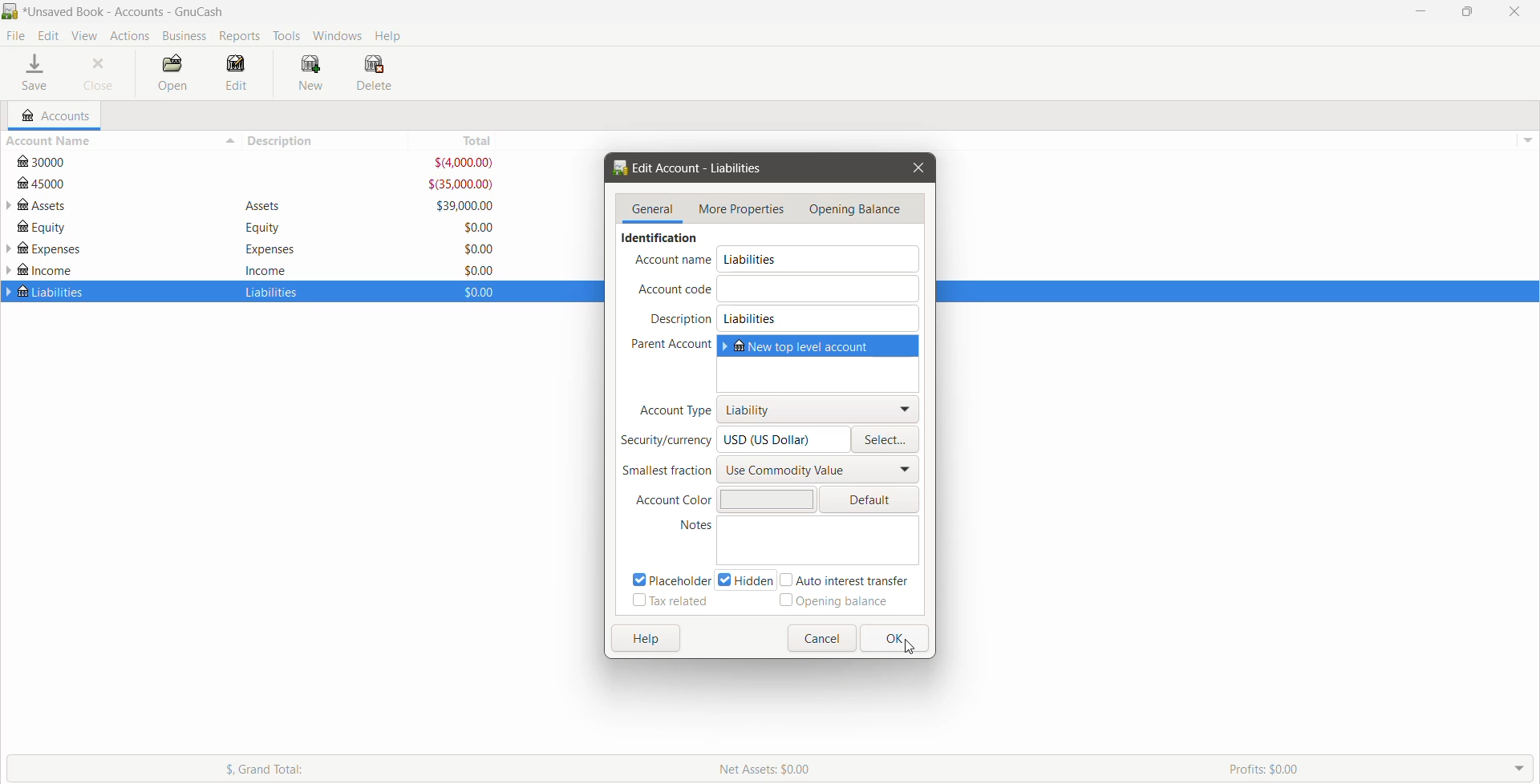 This screenshot has width=1540, height=784. I want to click on Set Account description, so click(820, 318).